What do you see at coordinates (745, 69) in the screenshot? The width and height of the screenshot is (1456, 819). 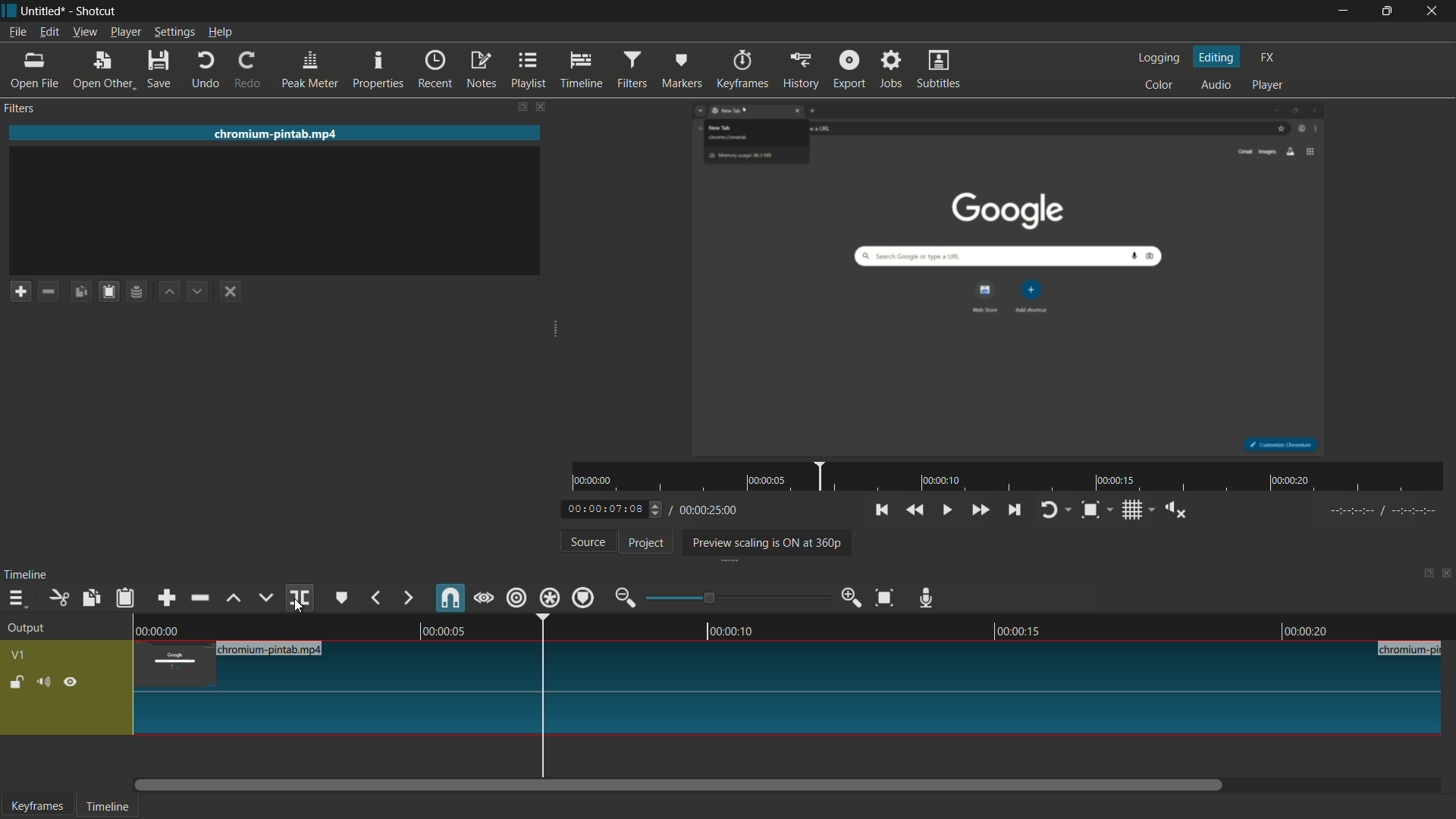 I see `keyframes` at bounding box center [745, 69].